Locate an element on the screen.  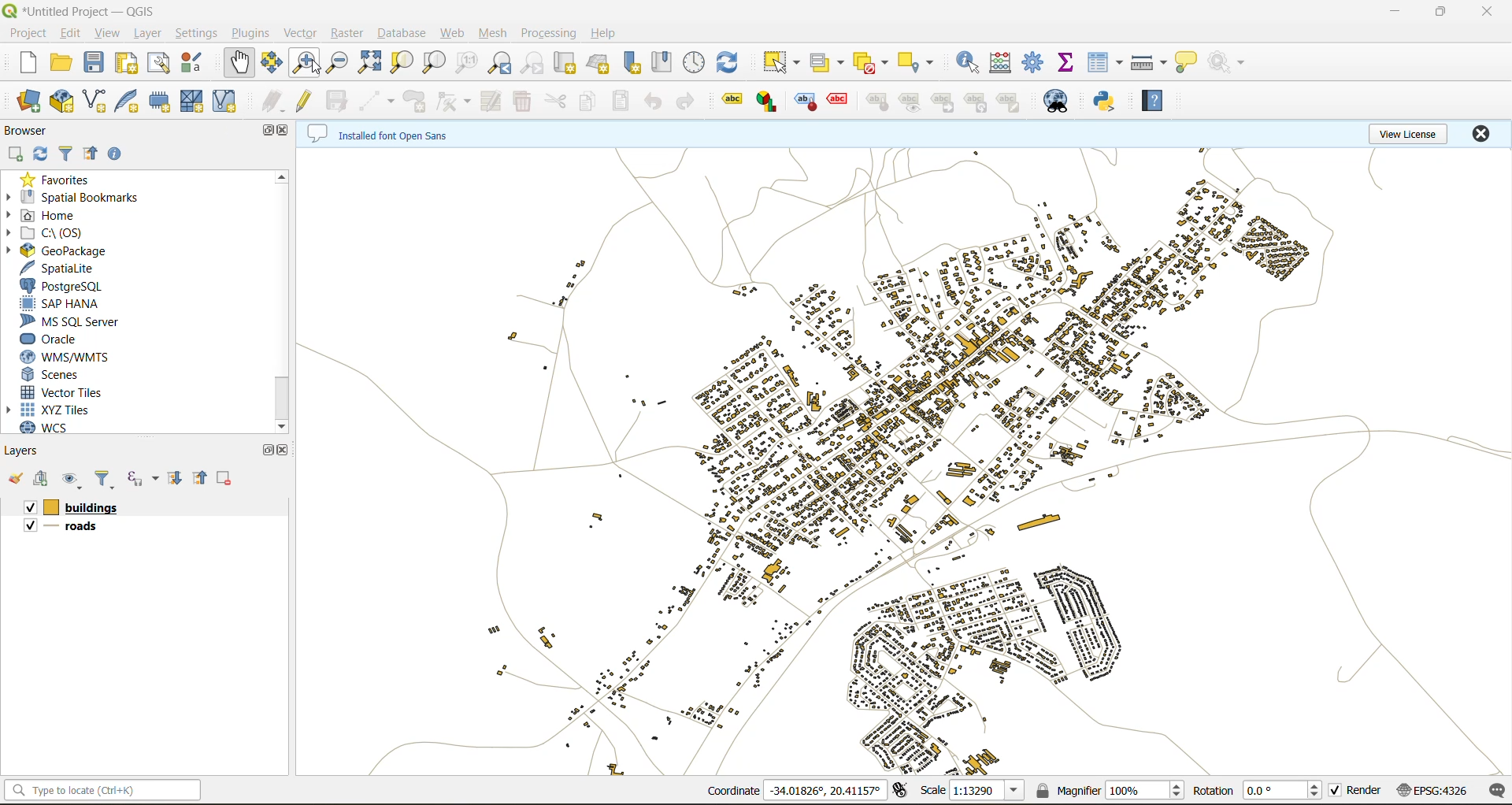
save is located at coordinates (94, 61).